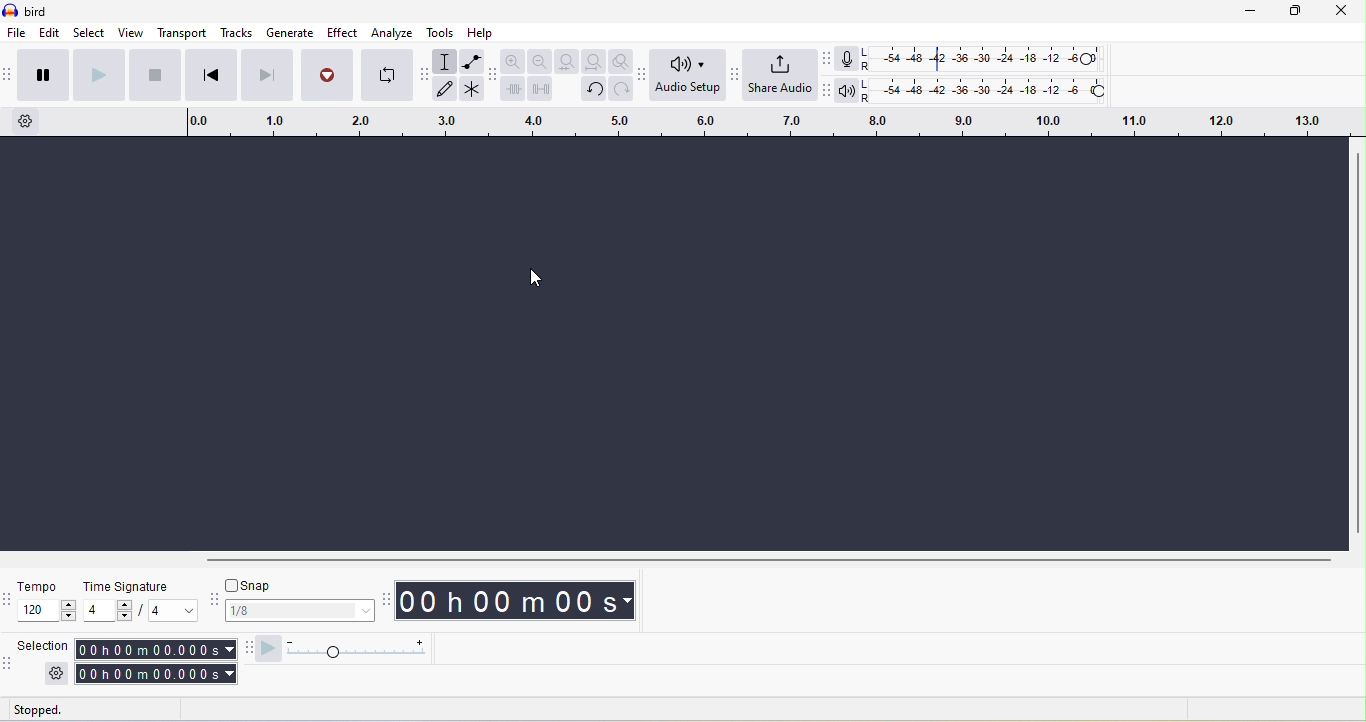 The width and height of the screenshot is (1366, 722). I want to click on multi tool, so click(473, 91).